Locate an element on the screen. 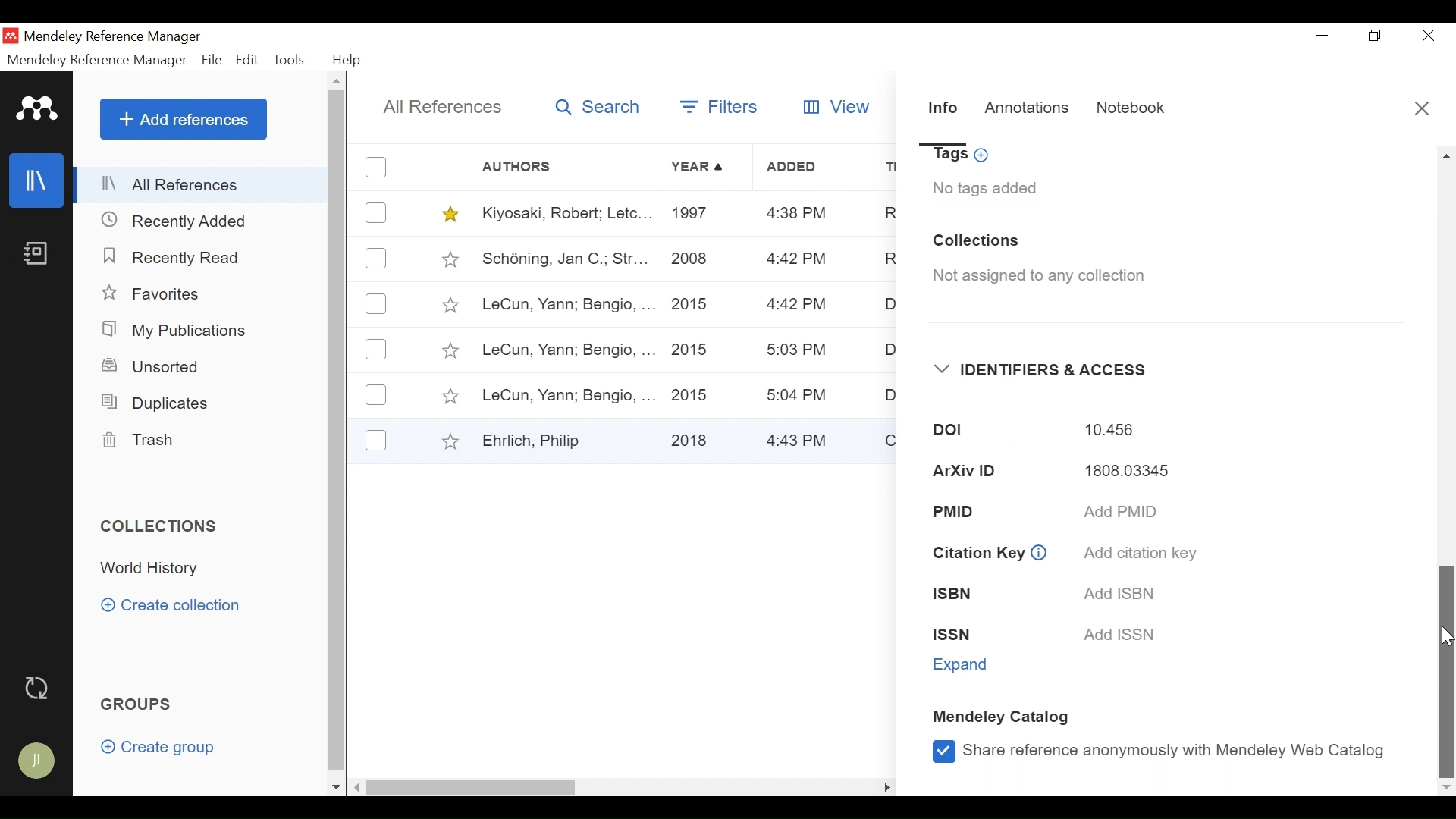 This screenshot has width=1456, height=819. Cursor is located at coordinates (1447, 635).